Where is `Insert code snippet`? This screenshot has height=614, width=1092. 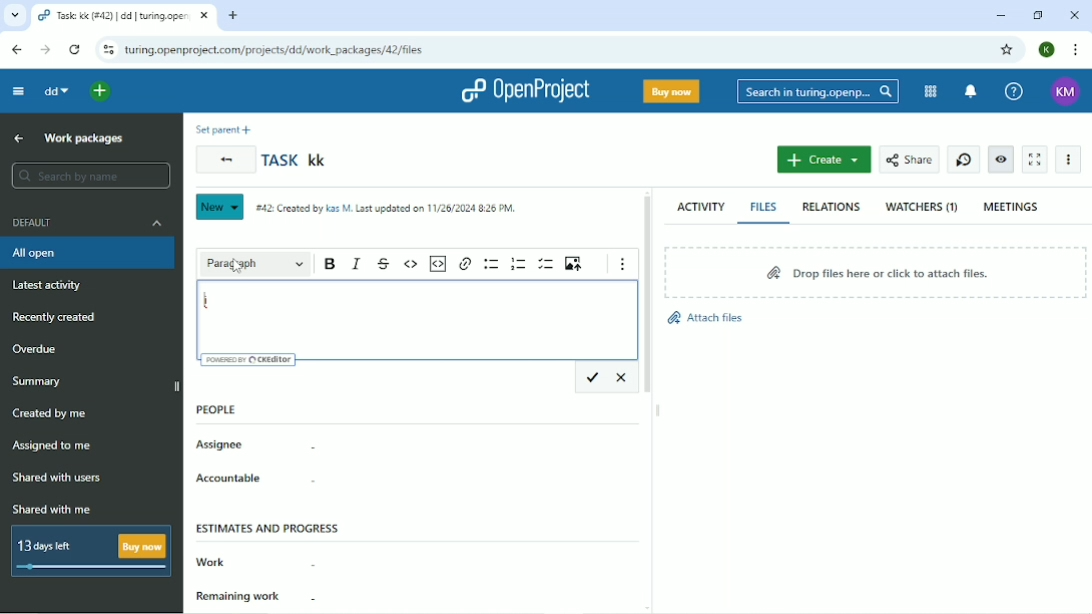 Insert code snippet is located at coordinates (438, 263).